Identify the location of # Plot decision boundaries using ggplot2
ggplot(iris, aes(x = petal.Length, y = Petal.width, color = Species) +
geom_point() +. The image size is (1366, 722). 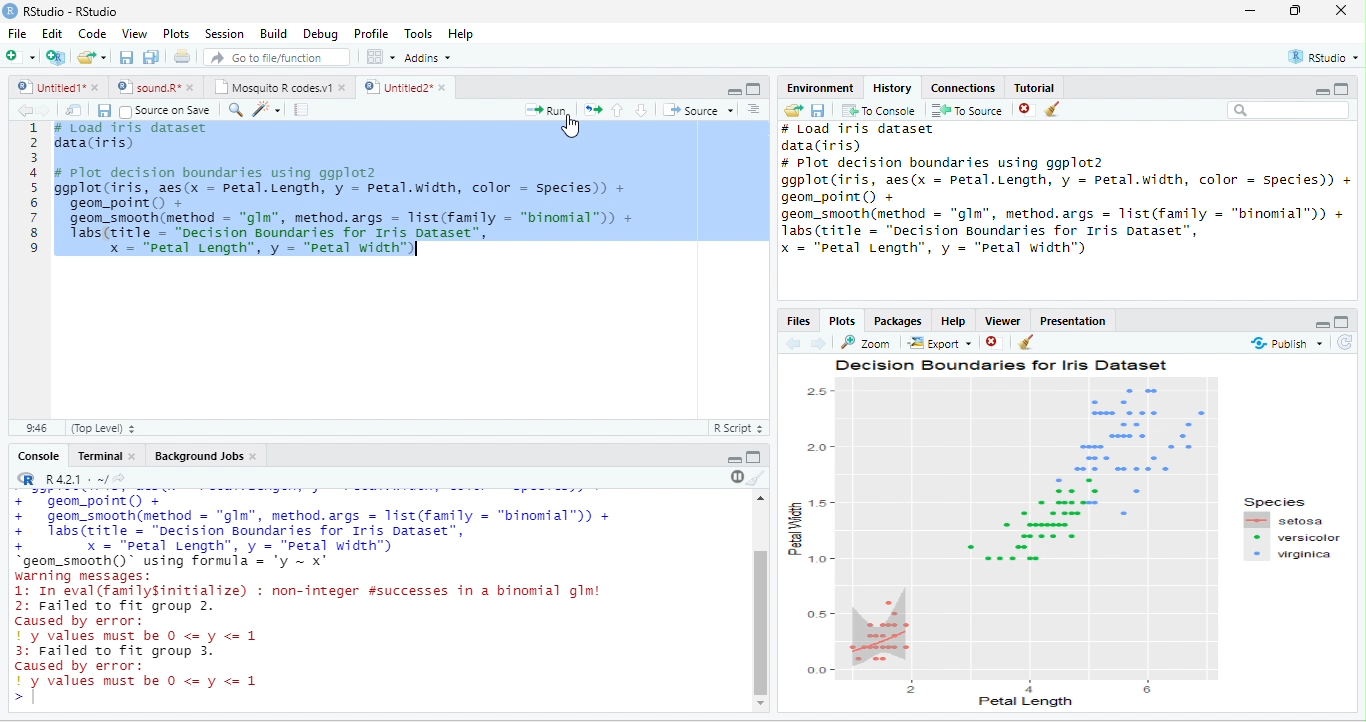
(345, 187).